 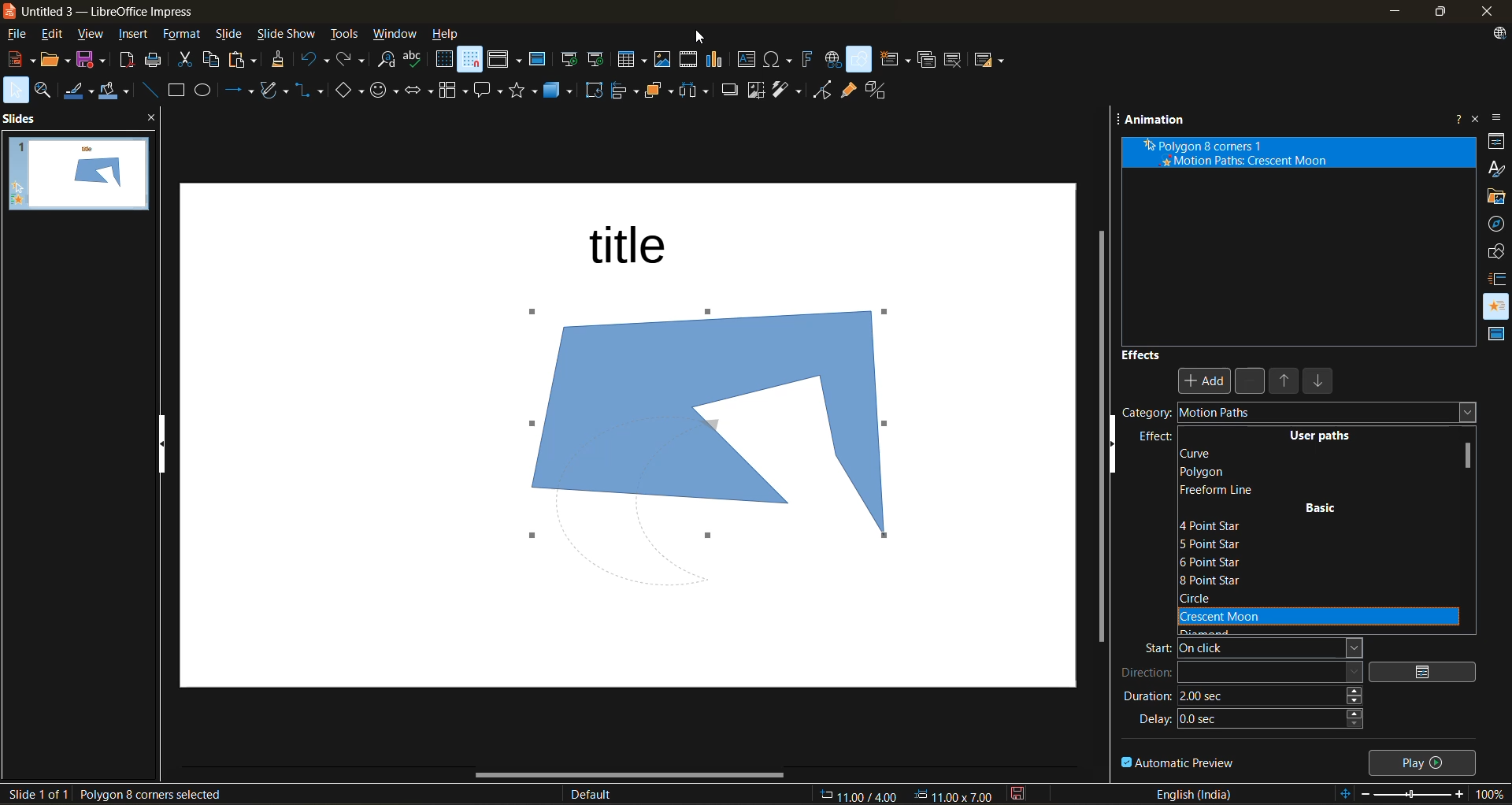 I want to click on 6 point star, so click(x=1219, y=562).